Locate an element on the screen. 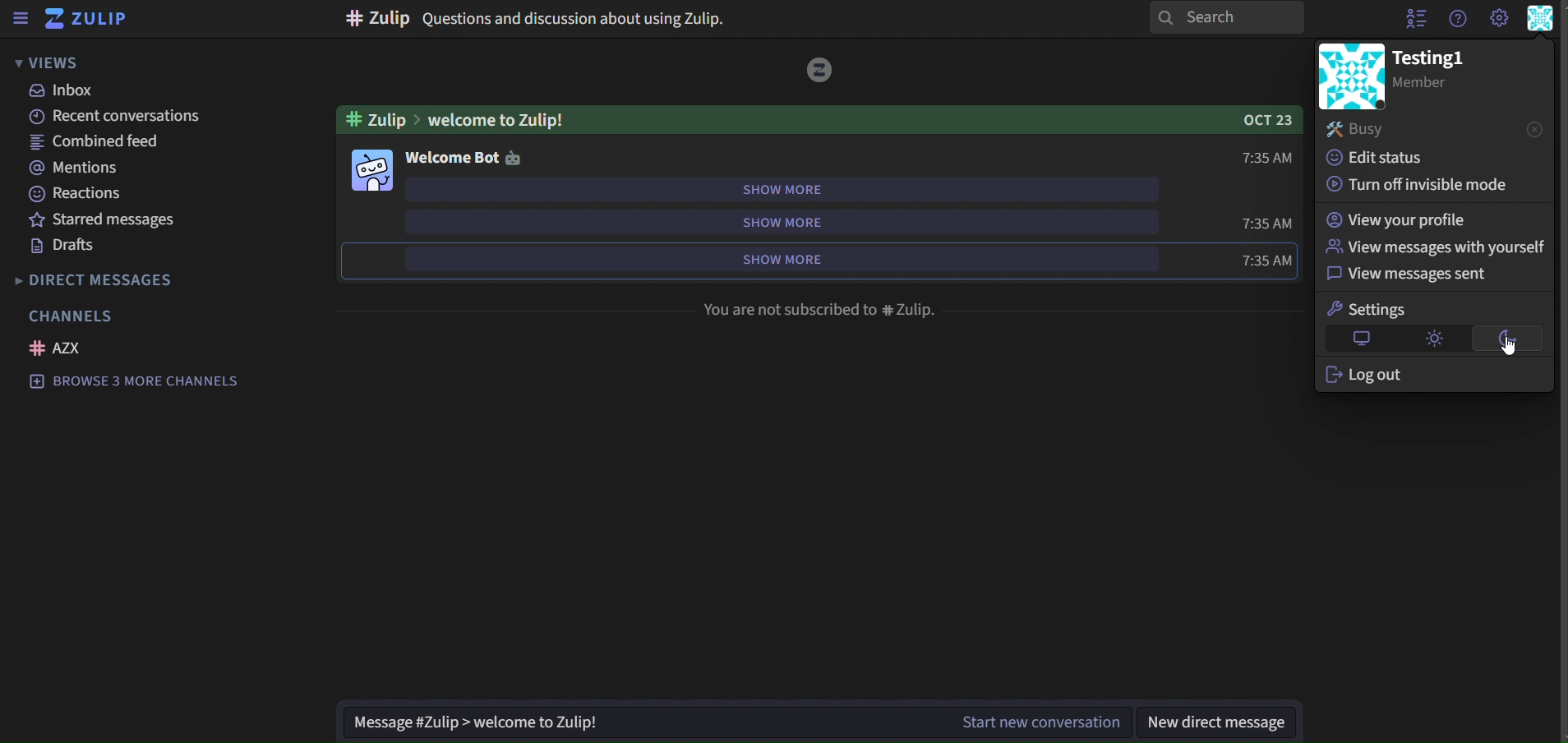 The width and height of the screenshot is (1568, 743). cursor is located at coordinates (1511, 353).